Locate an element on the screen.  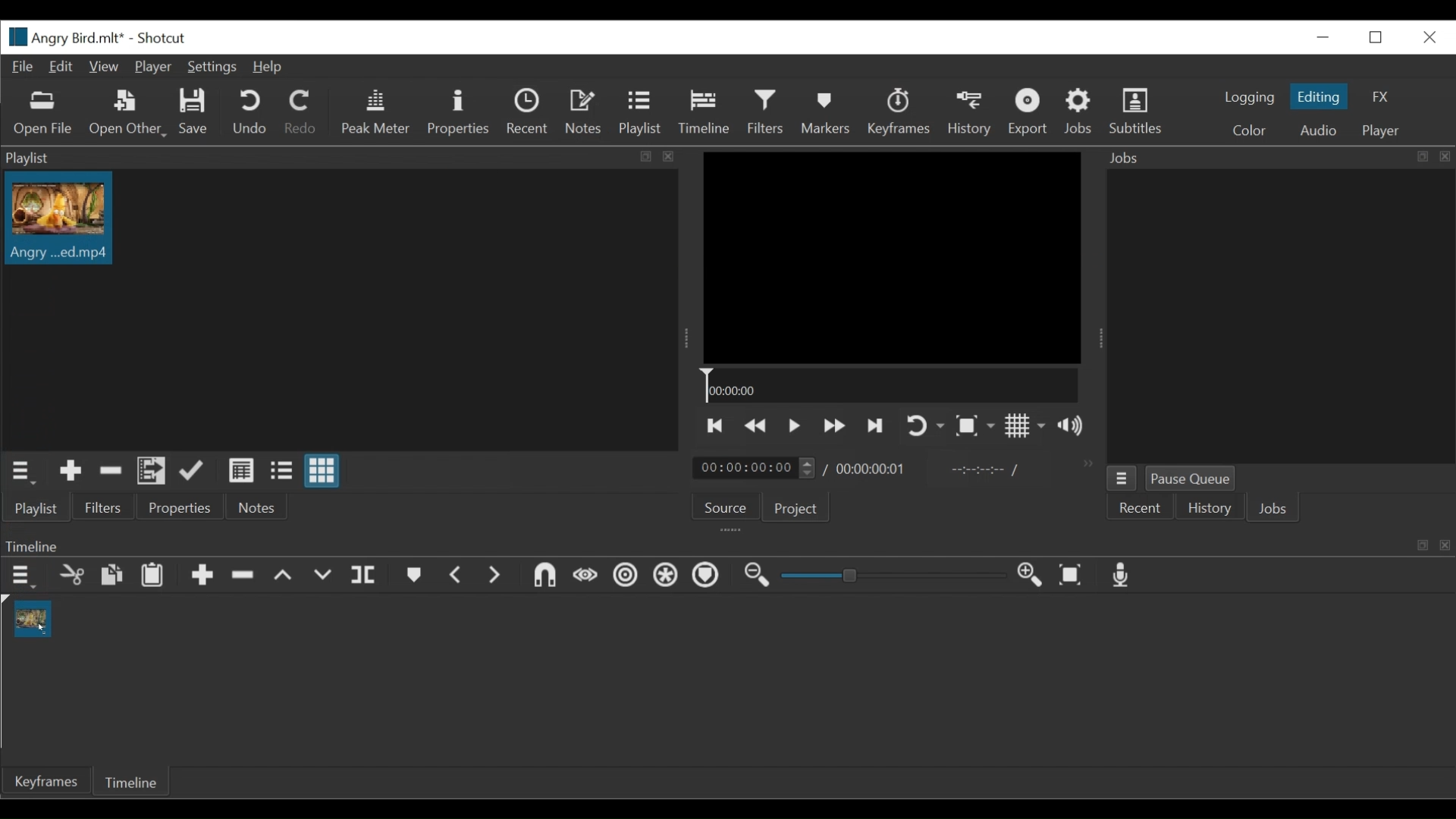
Snap is located at coordinates (664, 576).